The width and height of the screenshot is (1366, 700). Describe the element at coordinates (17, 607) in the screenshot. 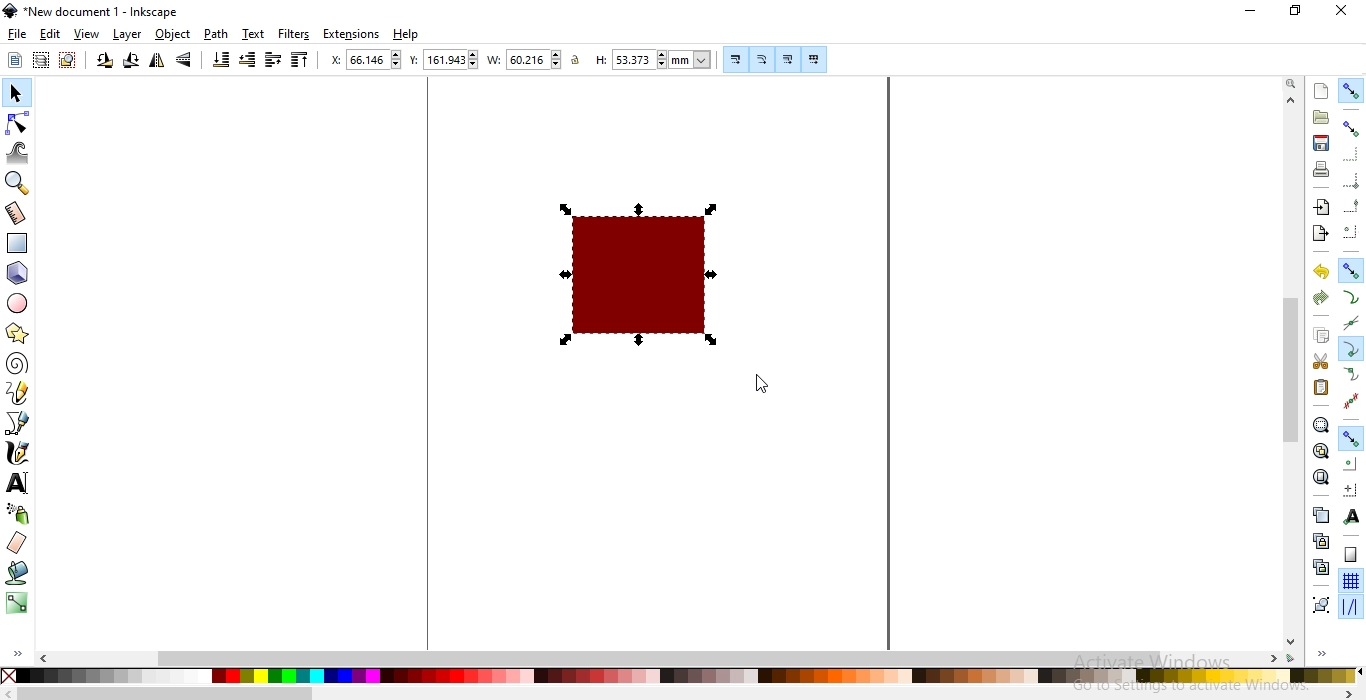

I see `create and edit gradient ` at that location.